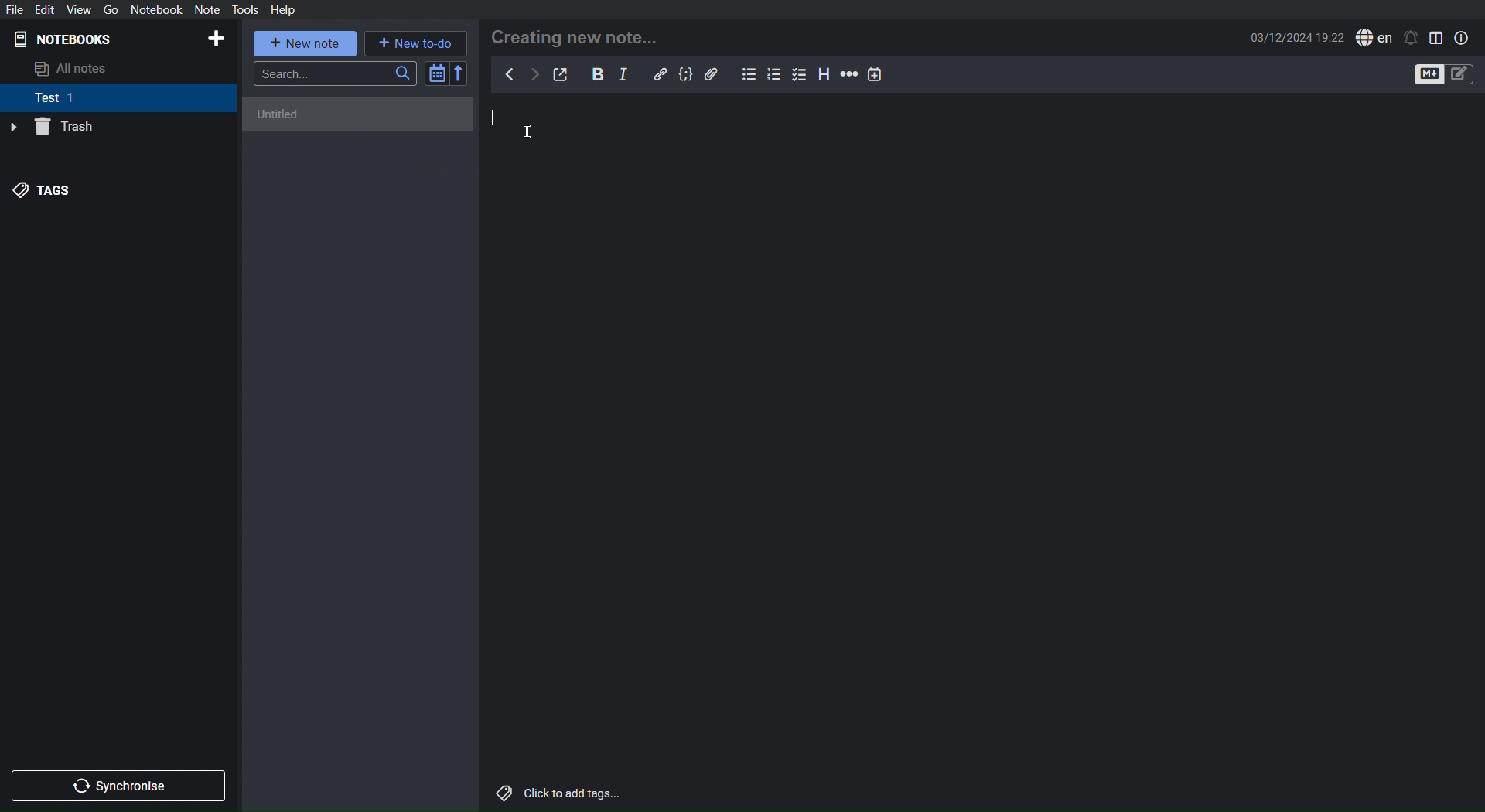 The width and height of the screenshot is (1485, 812). Describe the element at coordinates (357, 116) in the screenshot. I see `Untitled` at that location.